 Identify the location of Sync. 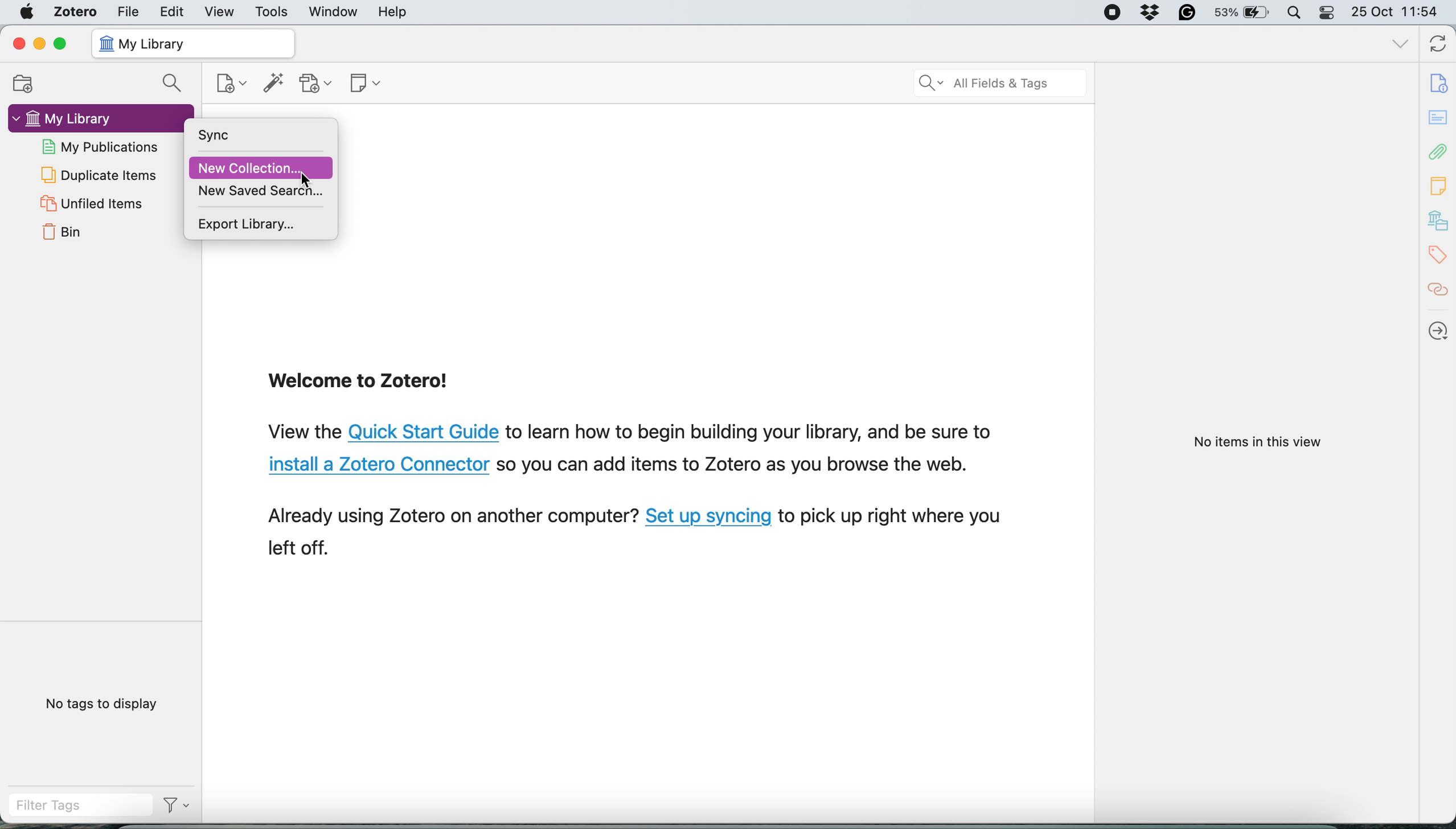
(247, 136).